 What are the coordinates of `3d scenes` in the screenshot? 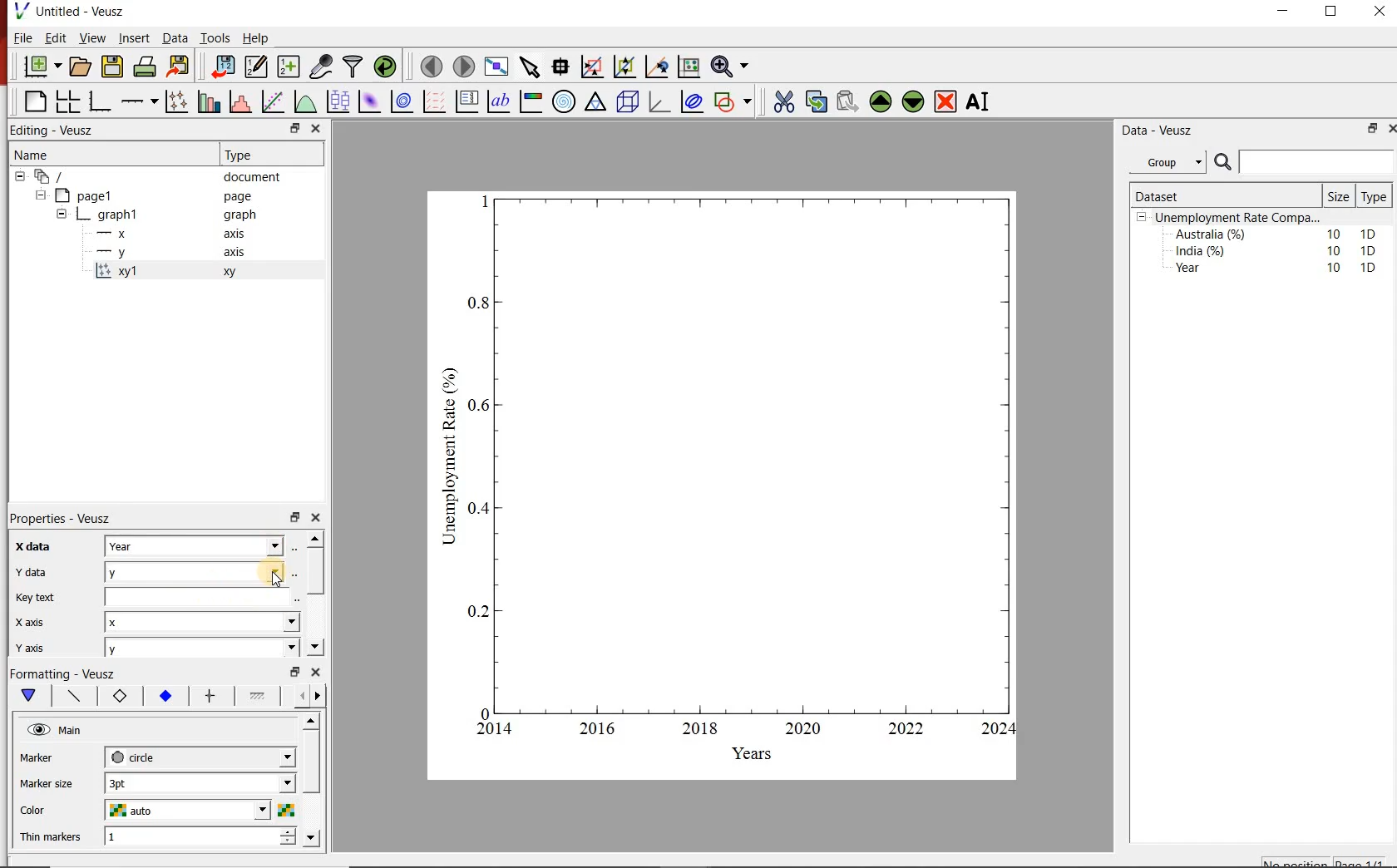 It's located at (625, 101).